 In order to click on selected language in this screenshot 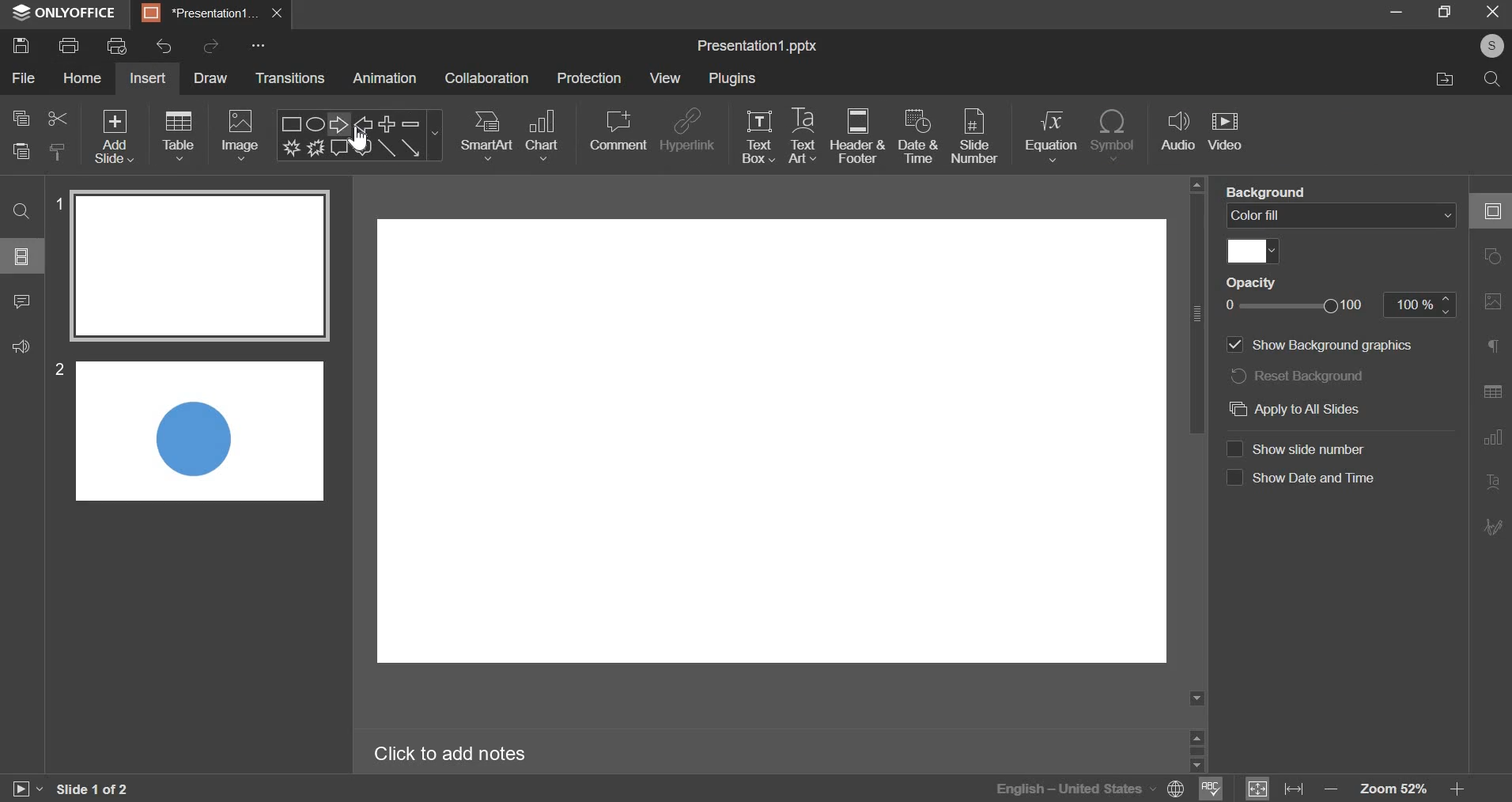, I will do `click(1088, 789)`.